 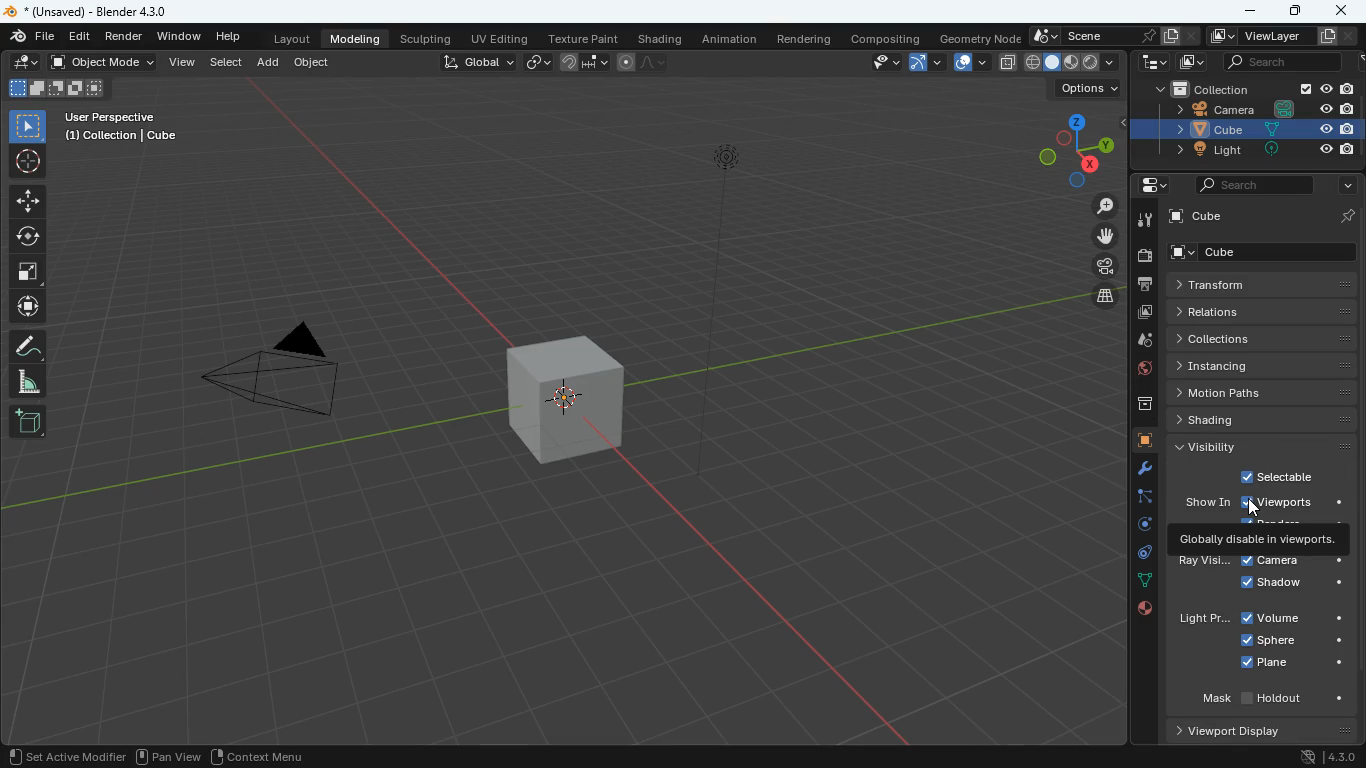 I want to click on overlap, so click(x=972, y=61).